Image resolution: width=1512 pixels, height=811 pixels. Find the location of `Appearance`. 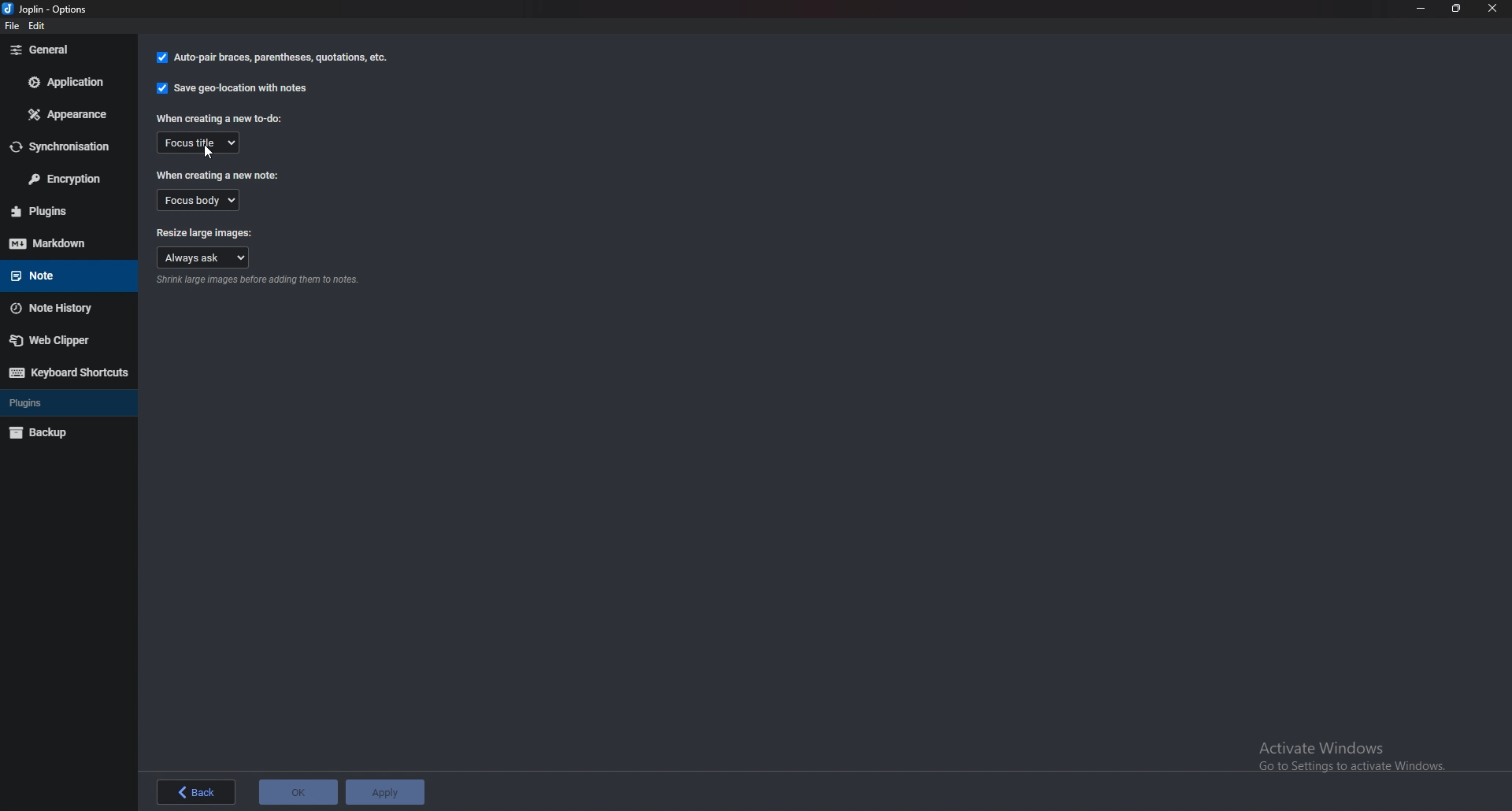

Appearance is located at coordinates (72, 114).